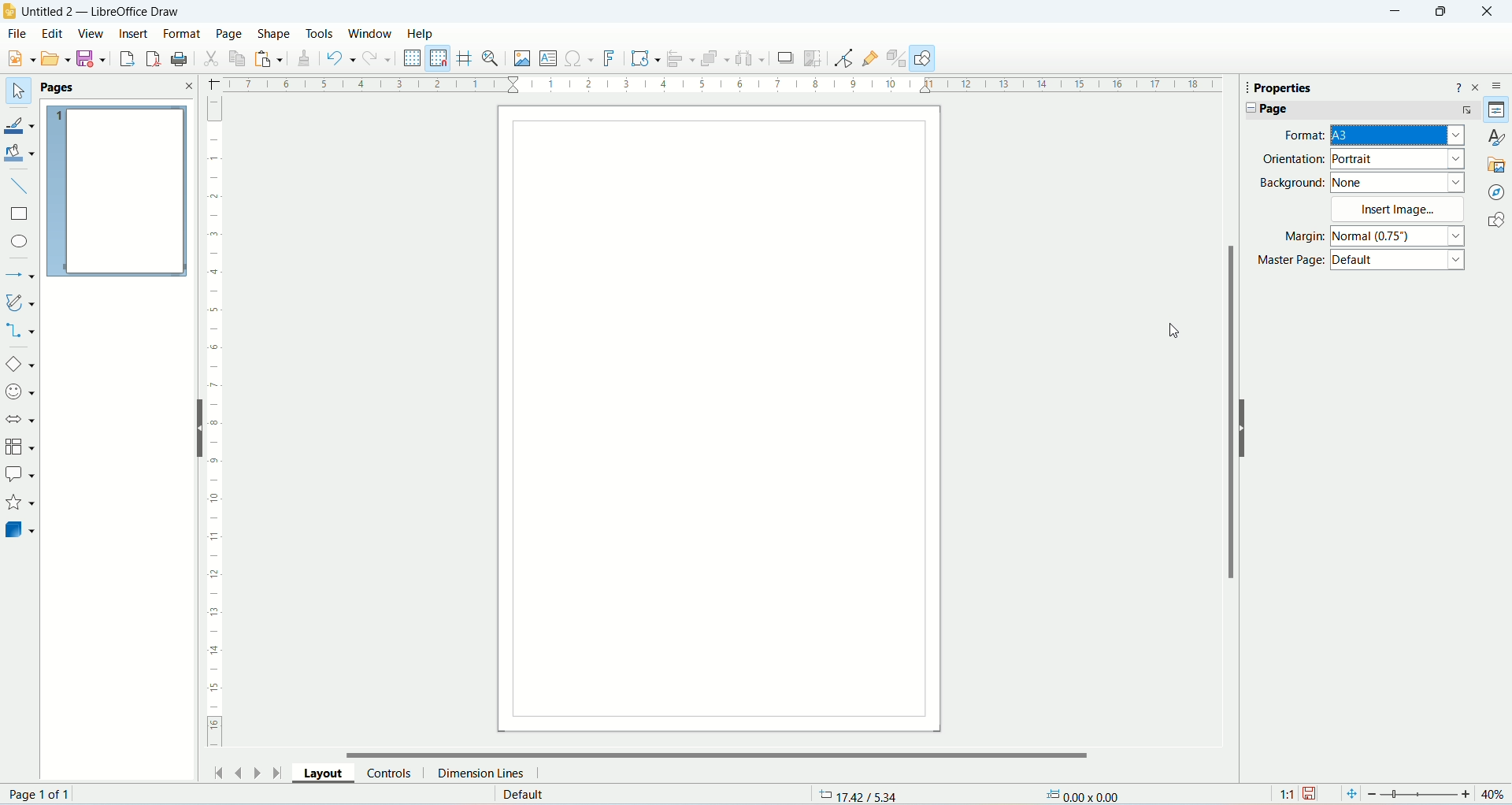  What do you see at coordinates (1084, 794) in the screenshot?
I see `dimensions` at bounding box center [1084, 794].